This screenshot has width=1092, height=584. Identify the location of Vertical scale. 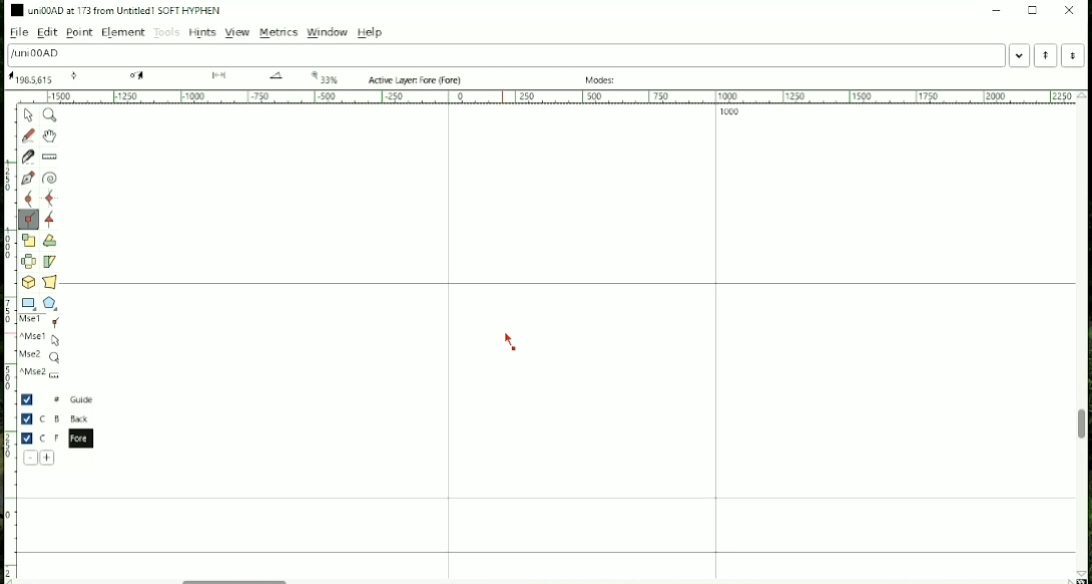
(10, 336).